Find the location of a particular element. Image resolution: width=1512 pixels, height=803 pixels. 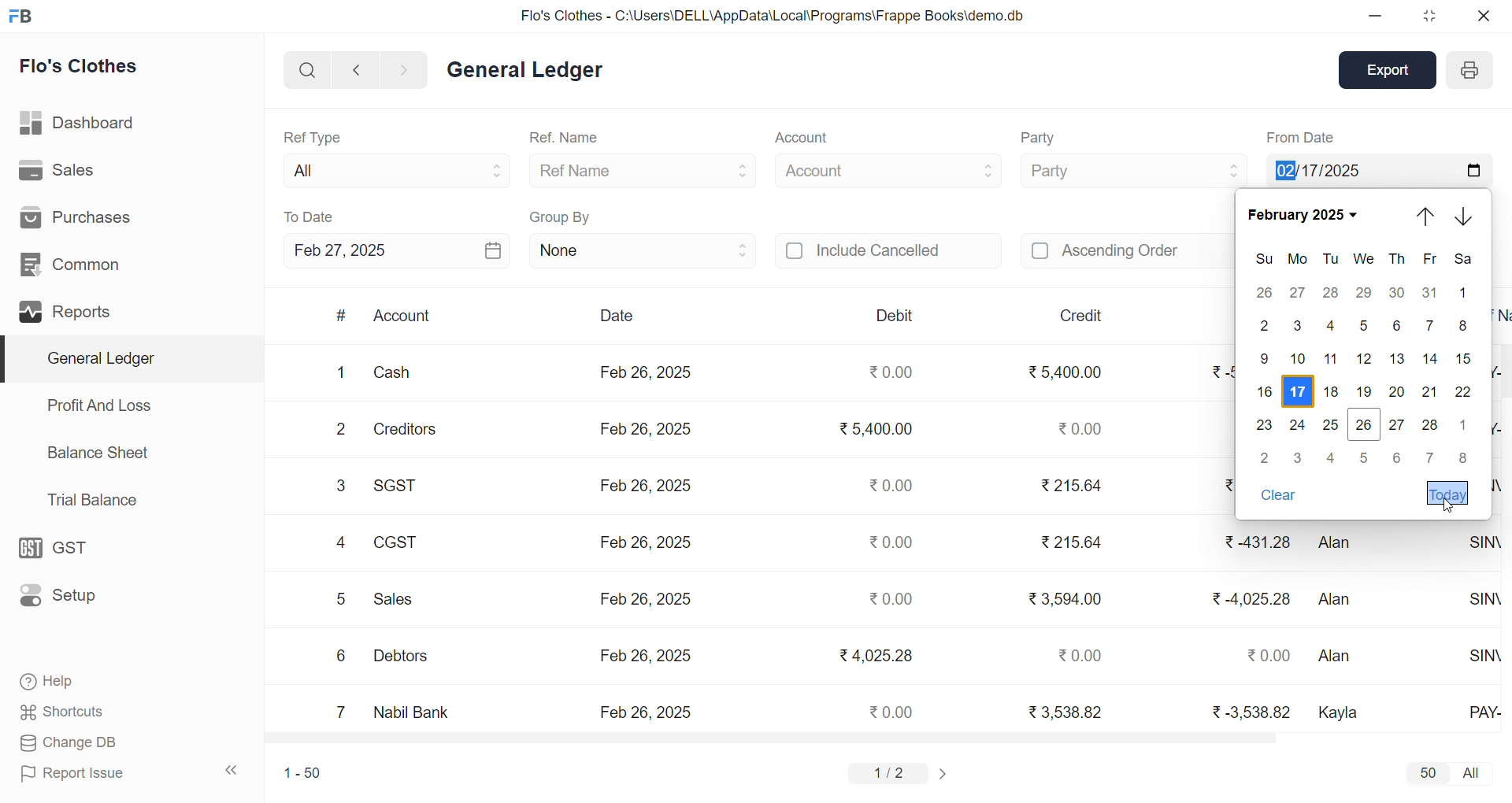

SGST is located at coordinates (400, 484).